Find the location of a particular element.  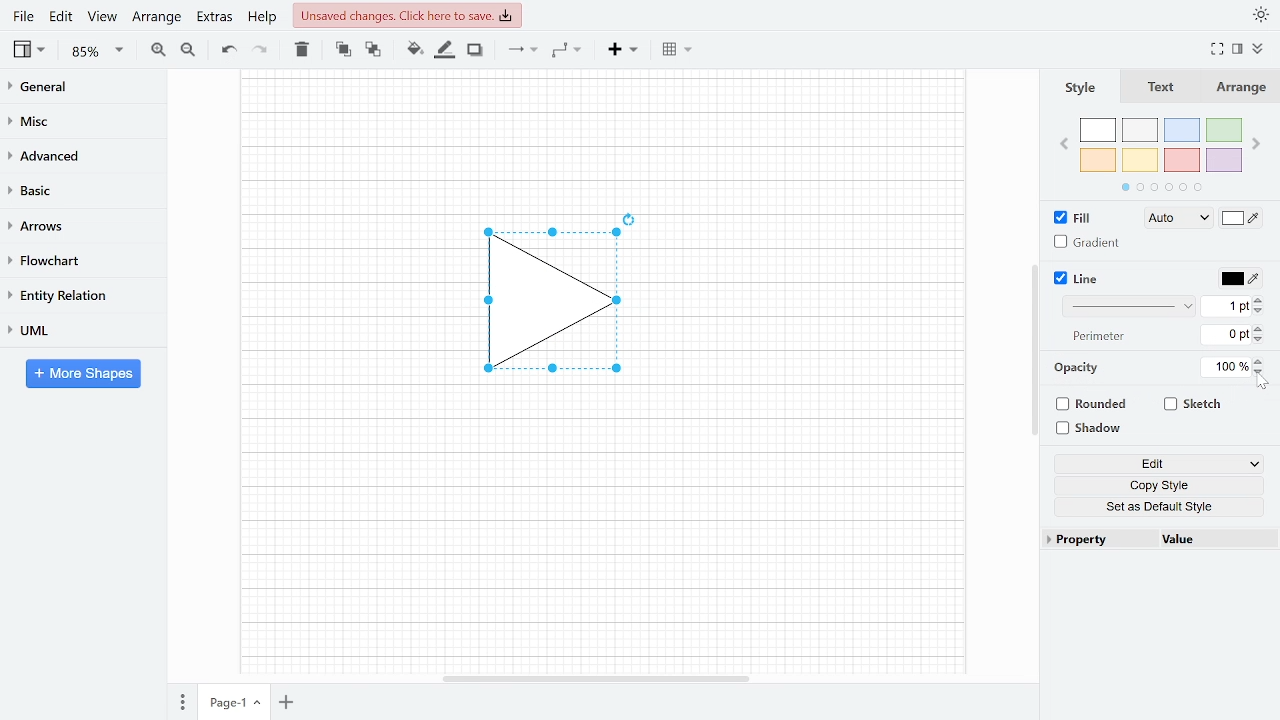

Sketch is located at coordinates (1194, 404).